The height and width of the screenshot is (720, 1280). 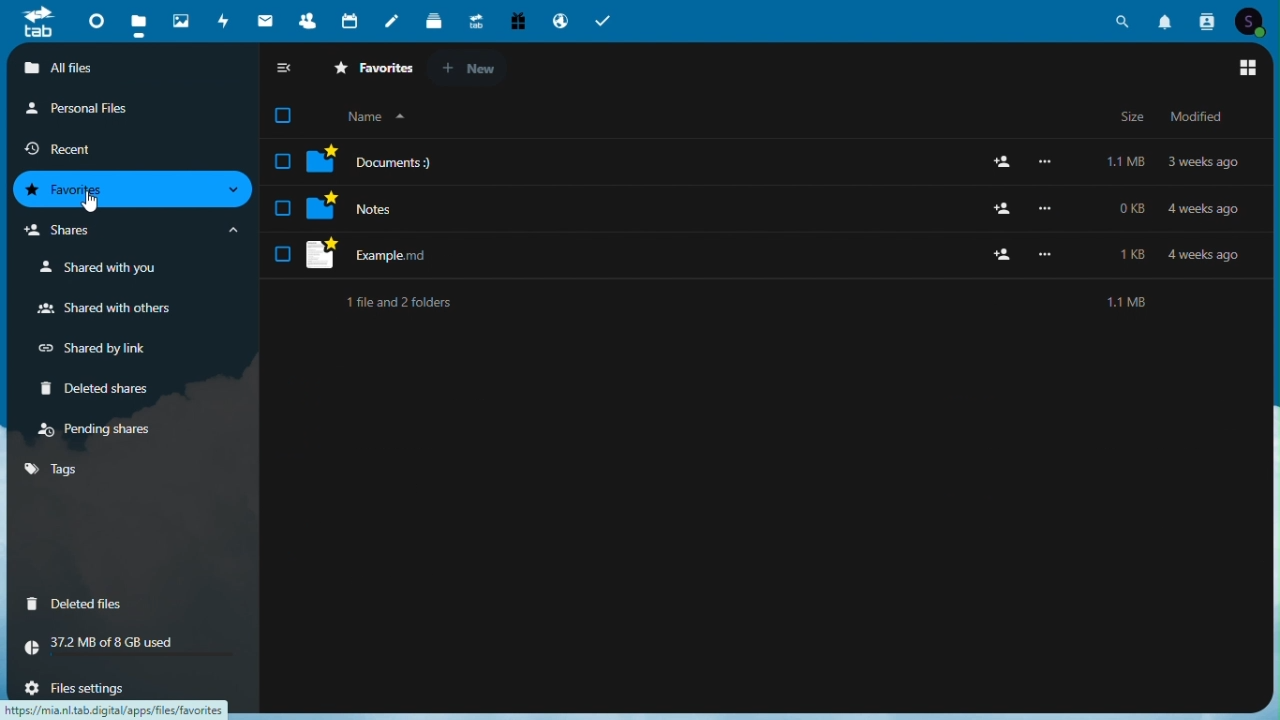 I want to click on New, so click(x=472, y=69).